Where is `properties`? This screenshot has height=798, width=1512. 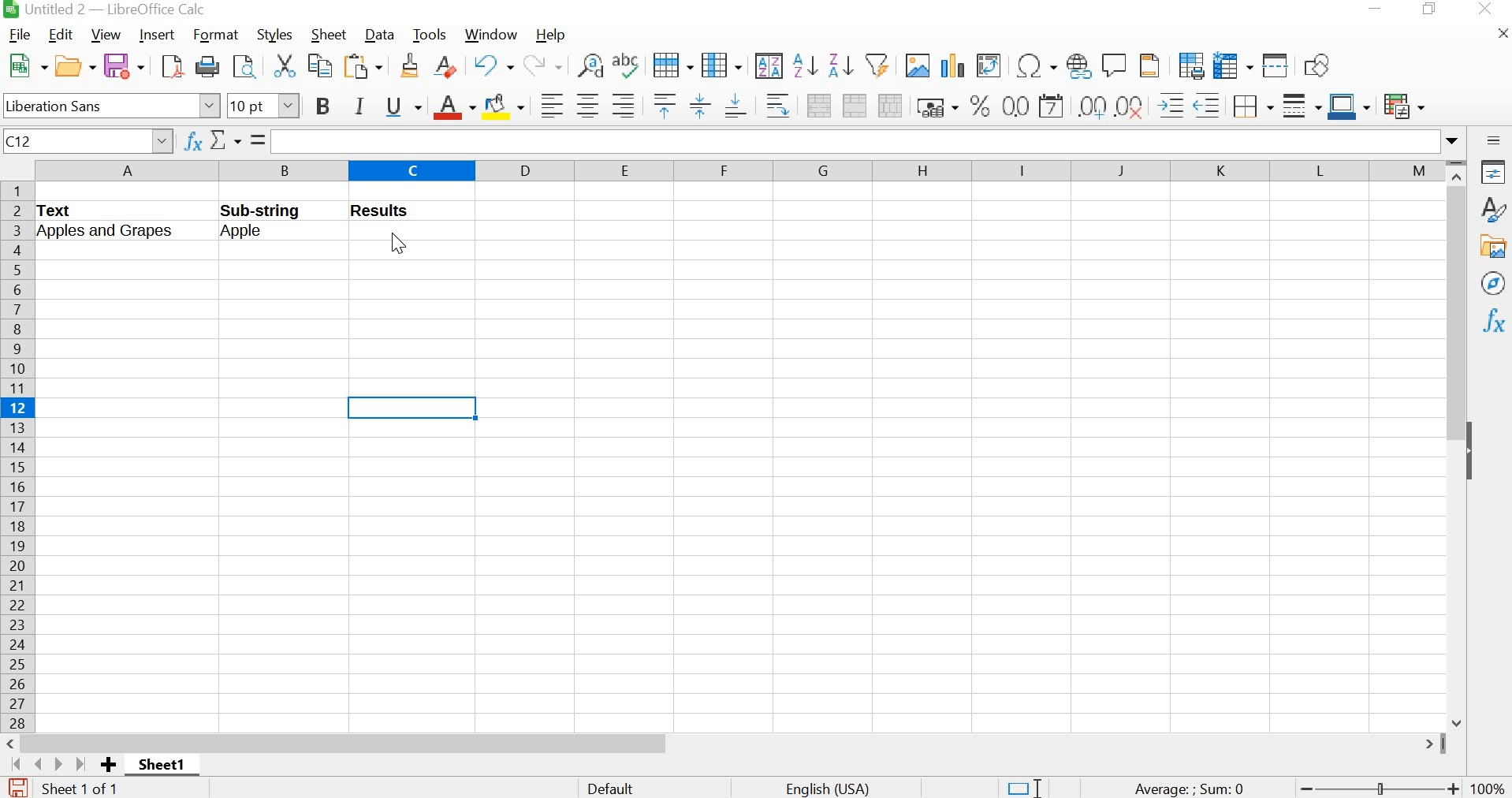
properties is located at coordinates (1492, 170).